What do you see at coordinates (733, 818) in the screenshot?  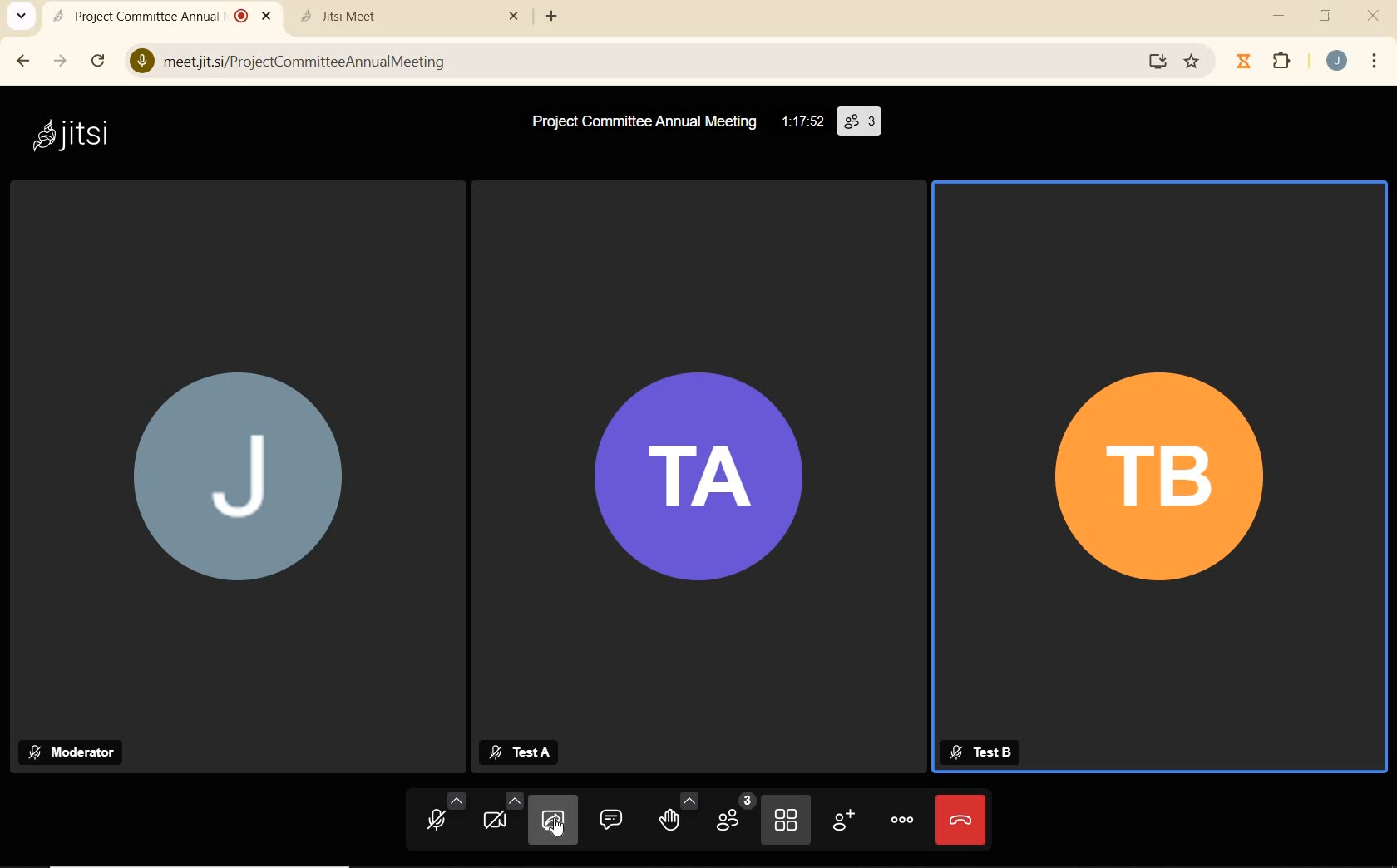 I see `PARTICIPANTS` at bounding box center [733, 818].